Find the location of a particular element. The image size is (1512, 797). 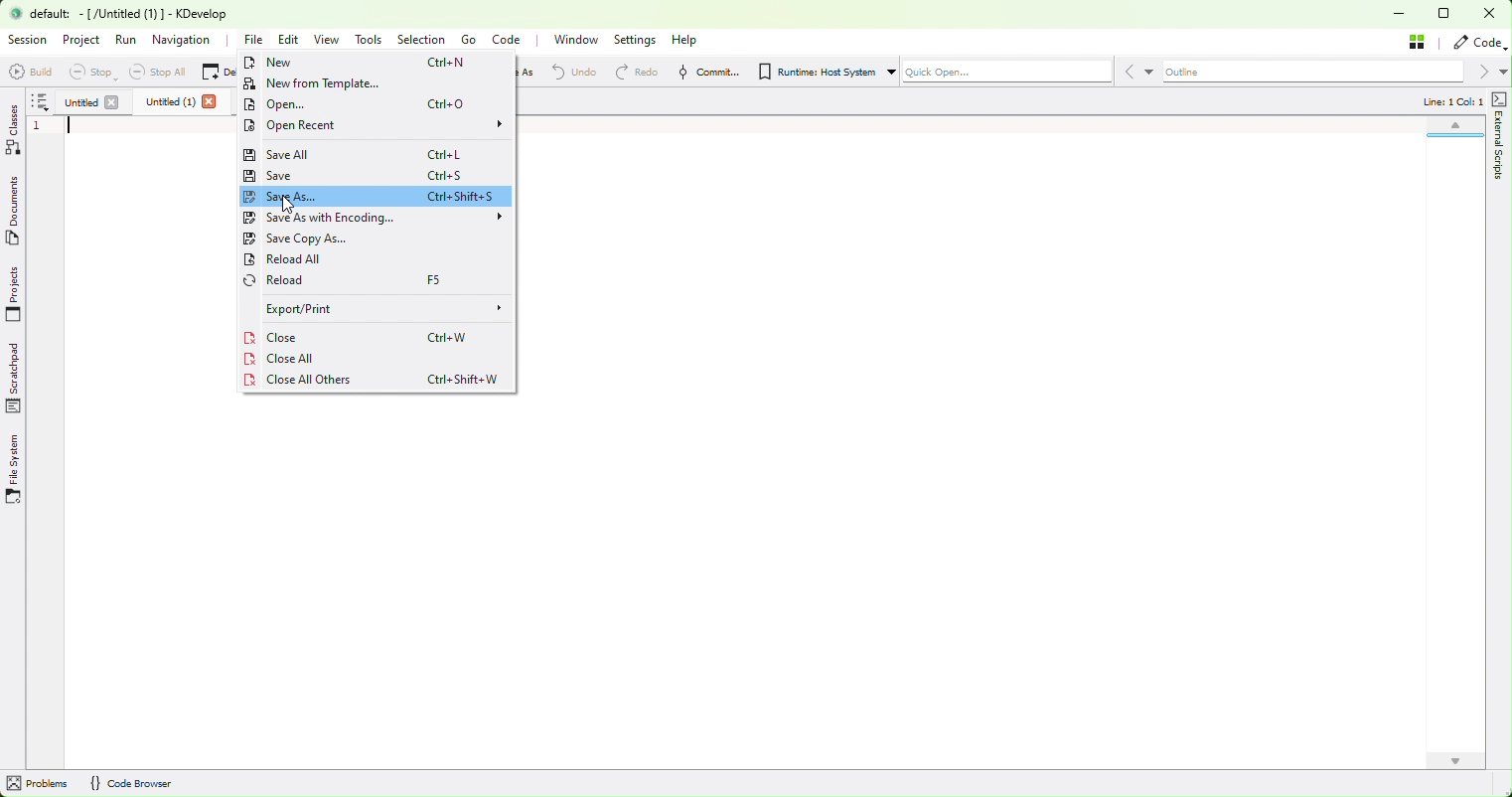

Project is located at coordinates (81, 42).